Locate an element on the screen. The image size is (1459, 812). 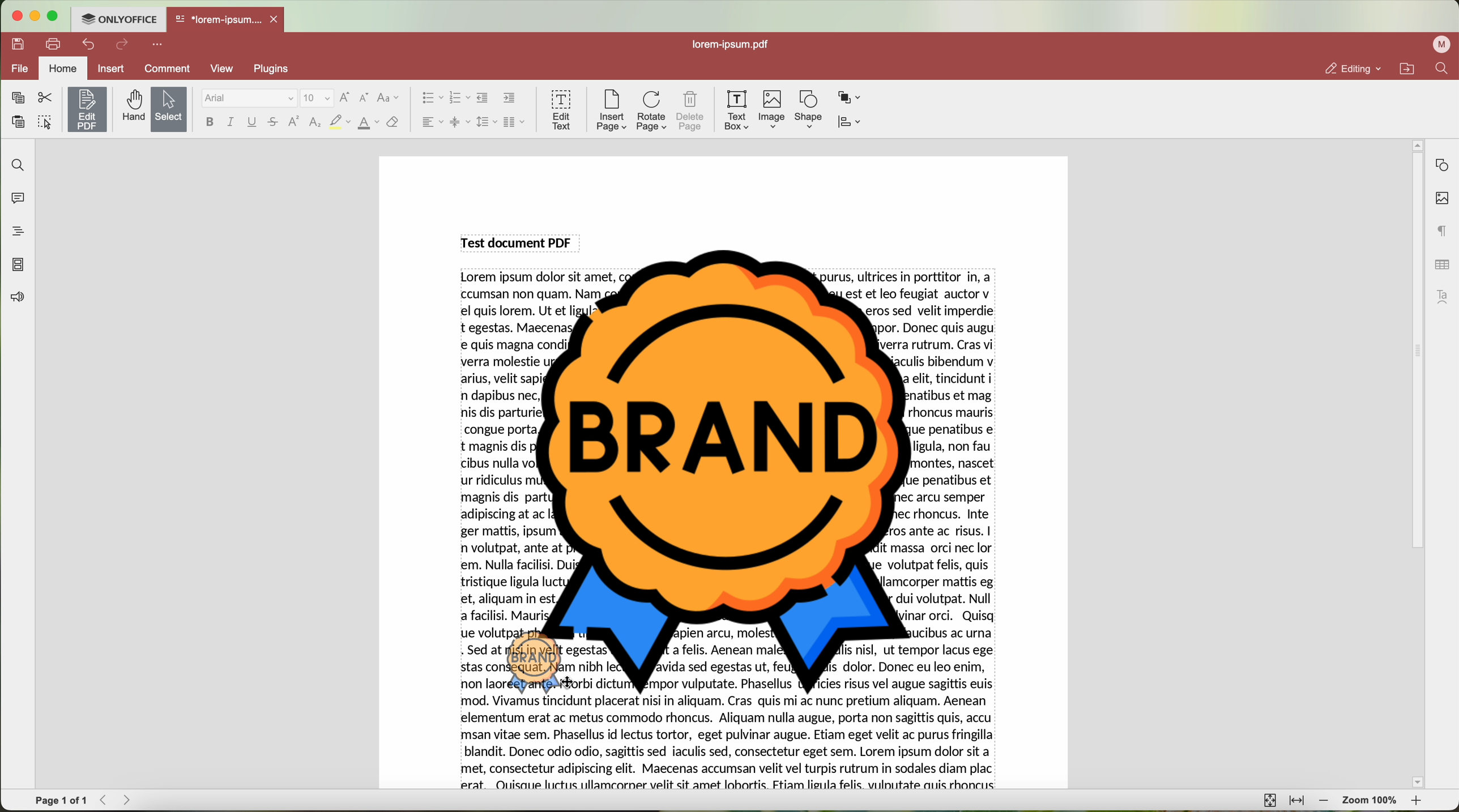
Test document PDF is located at coordinates (519, 242).